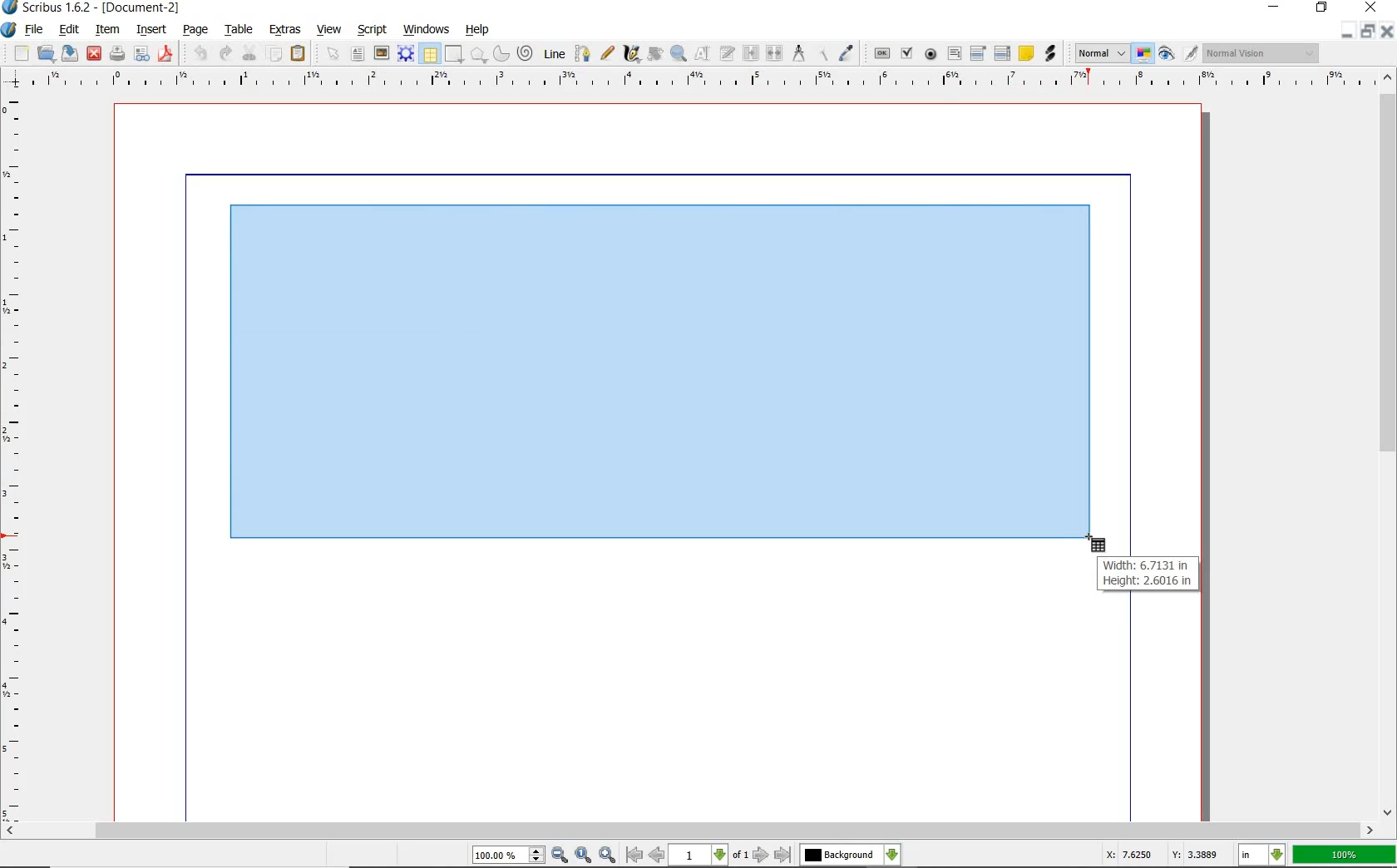 This screenshot has height=868, width=1397. What do you see at coordinates (526, 54) in the screenshot?
I see `spiral` at bounding box center [526, 54].